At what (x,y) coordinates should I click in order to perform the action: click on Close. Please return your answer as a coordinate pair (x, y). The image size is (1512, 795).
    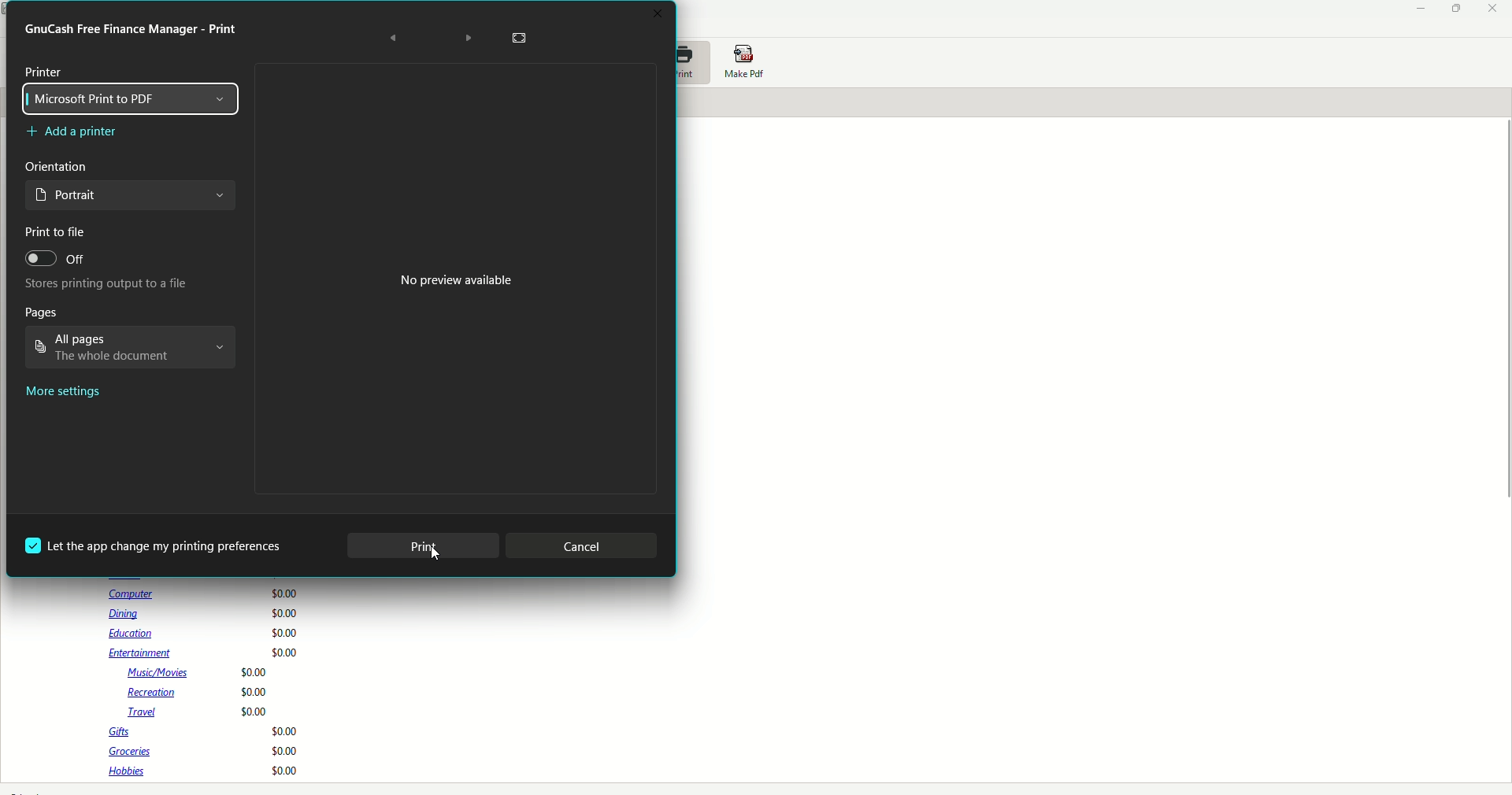
    Looking at the image, I should click on (1492, 9).